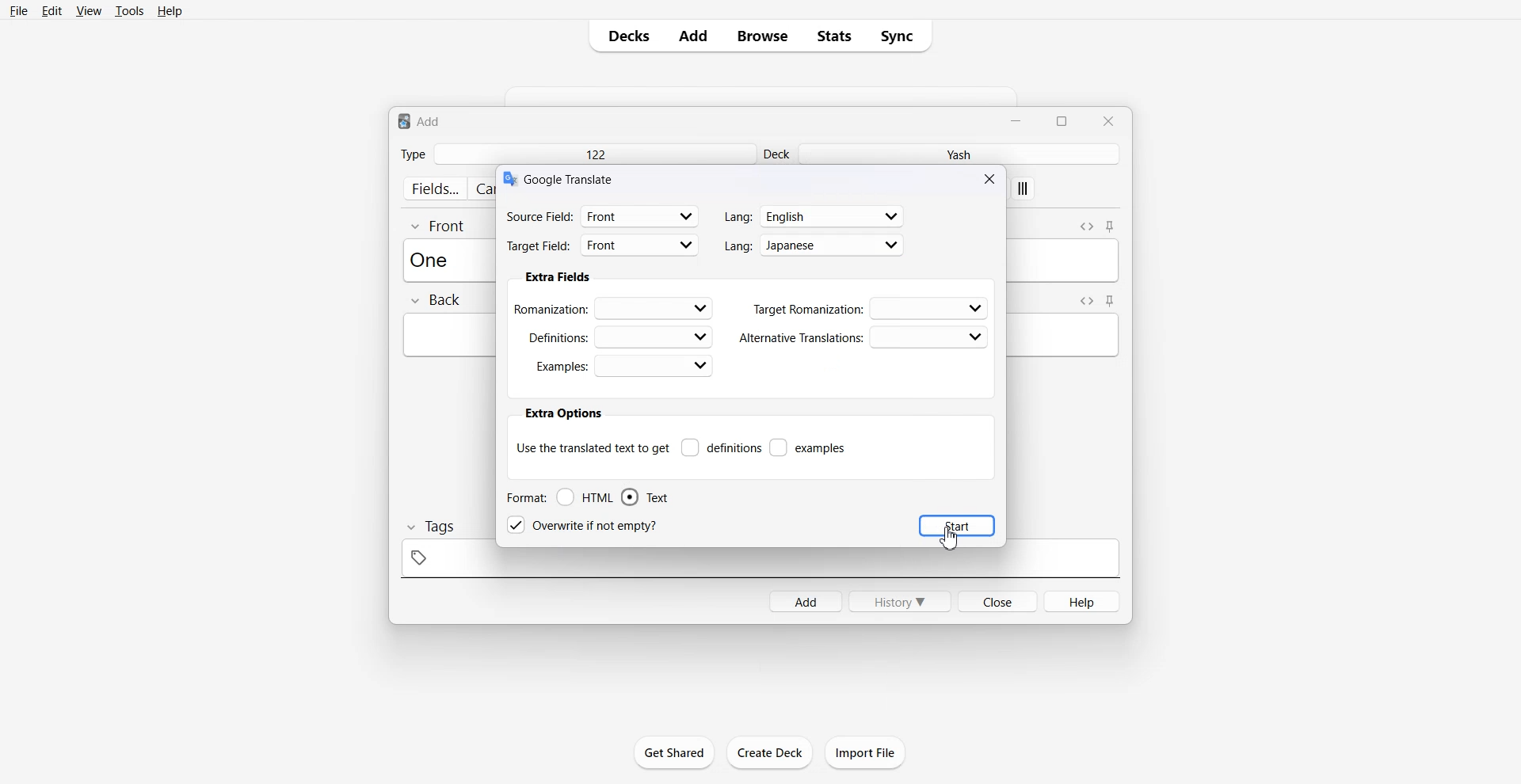 This screenshot has width=1521, height=784. I want to click on HTML, so click(585, 497).